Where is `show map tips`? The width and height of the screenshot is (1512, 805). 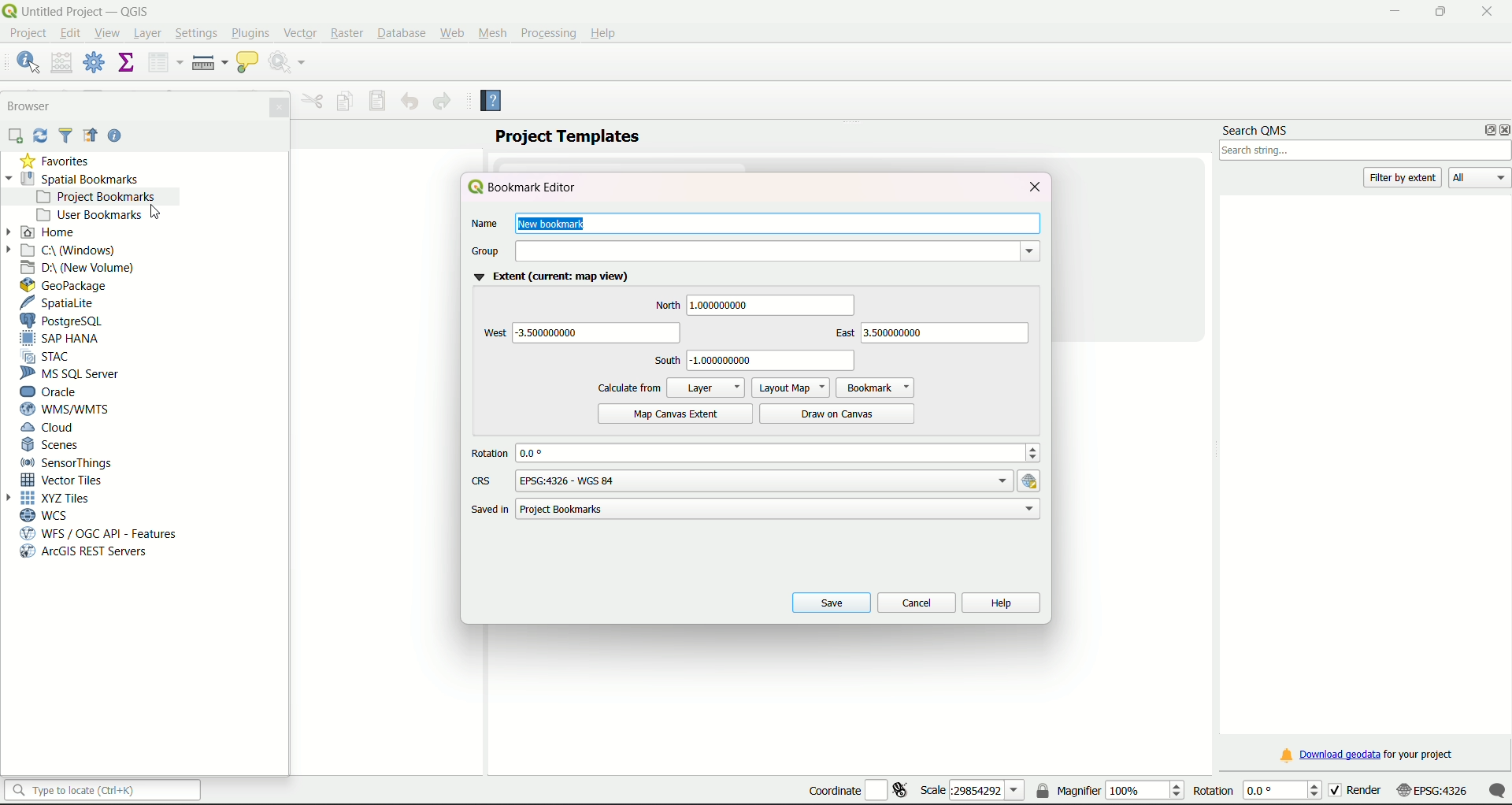
show map tips is located at coordinates (247, 63).